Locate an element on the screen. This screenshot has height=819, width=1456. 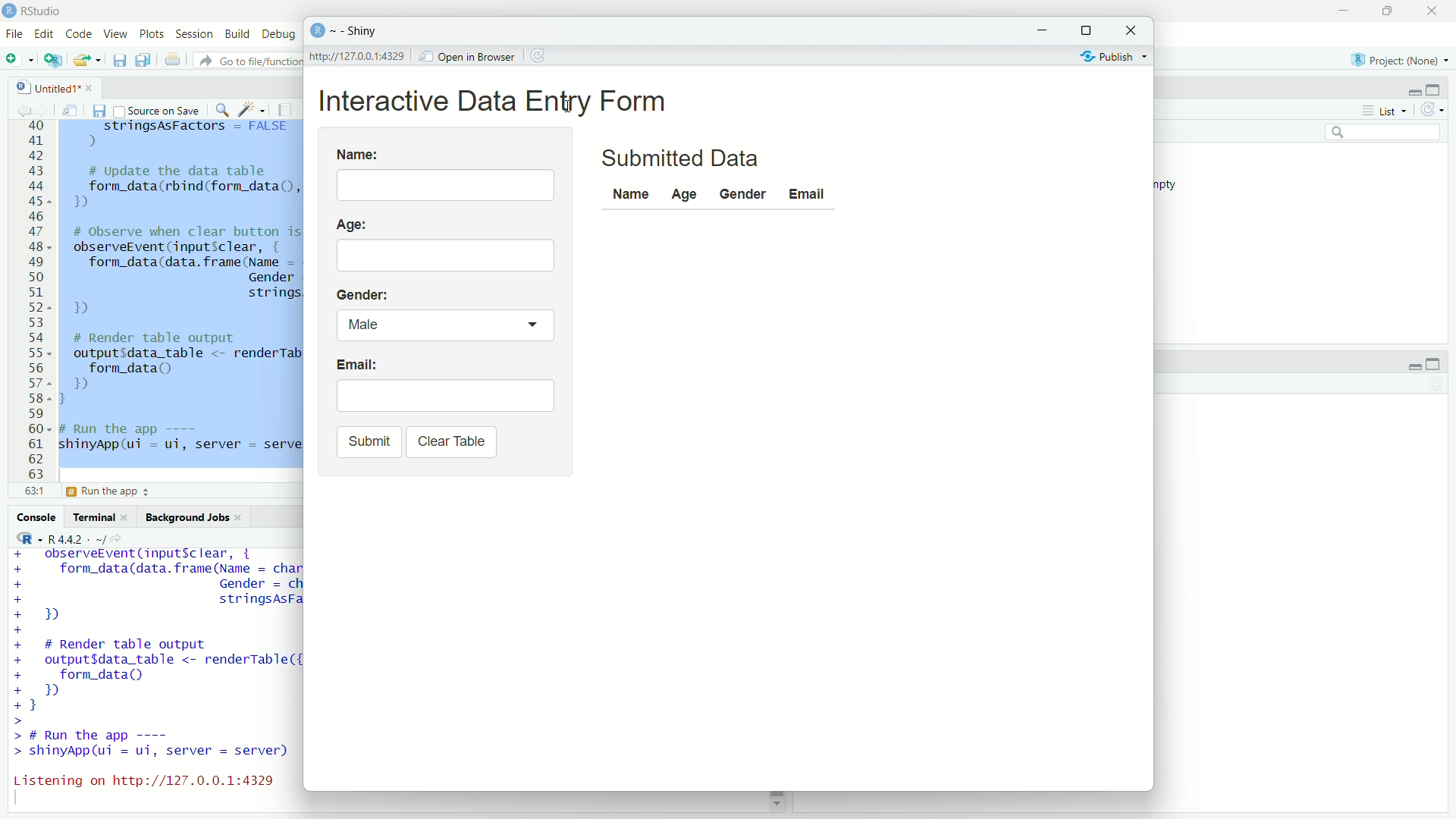
Plots is located at coordinates (152, 34).